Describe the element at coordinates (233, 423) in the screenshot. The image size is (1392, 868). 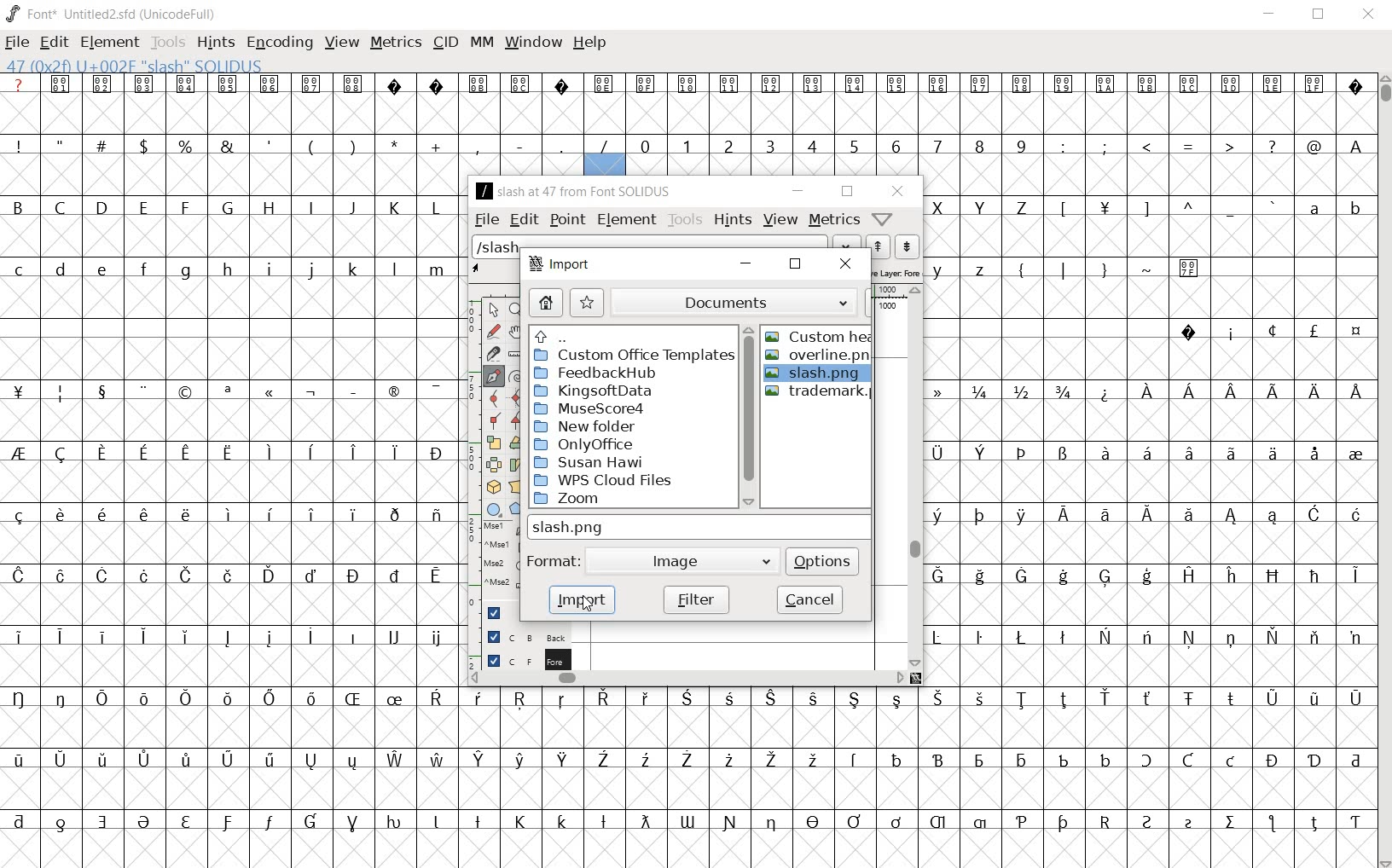
I see `empty cells` at that location.